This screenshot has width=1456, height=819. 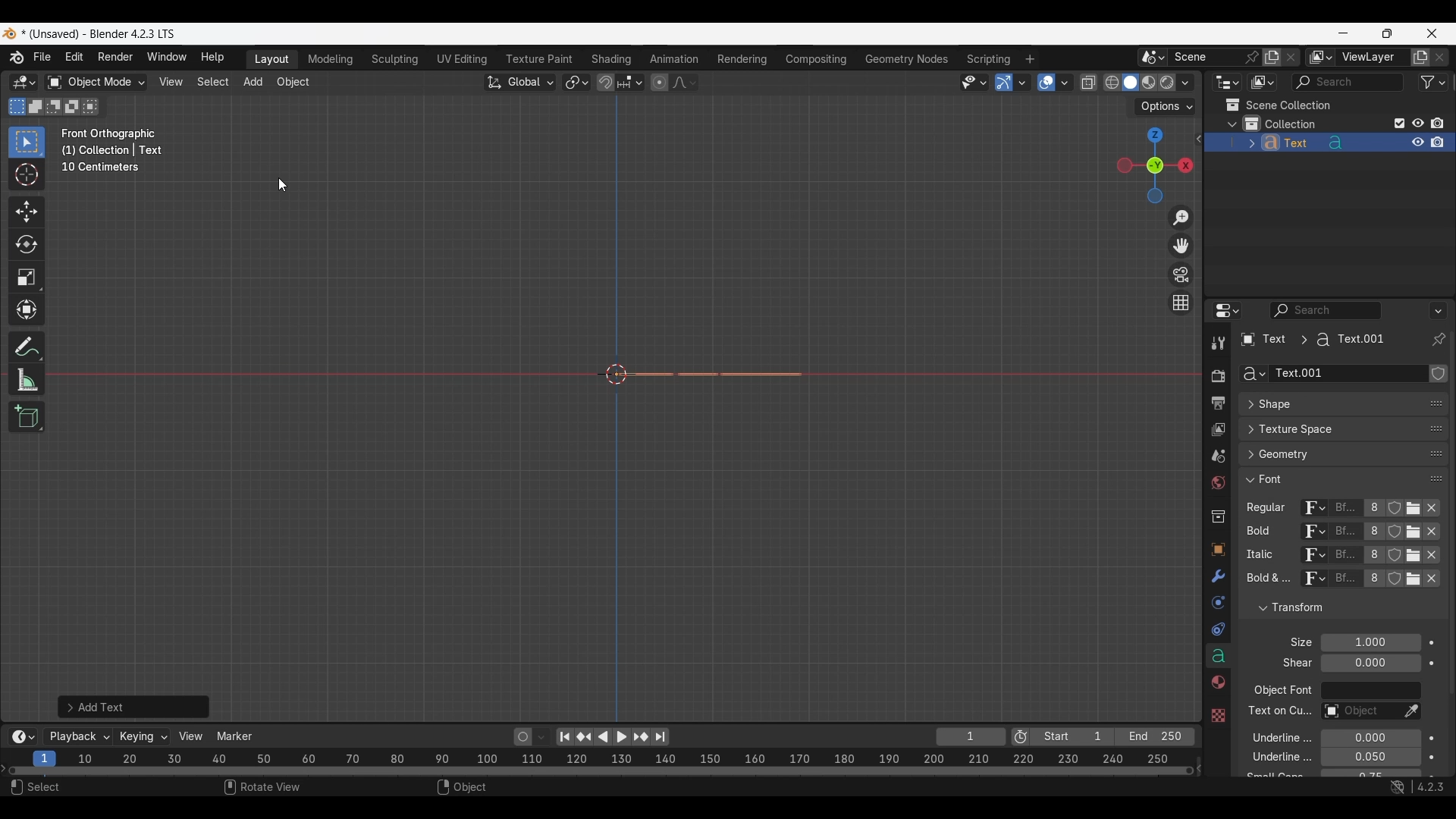 What do you see at coordinates (331, 60) in the screenshot?
I see `Medeling workspace` at bounding box center [331, 60].